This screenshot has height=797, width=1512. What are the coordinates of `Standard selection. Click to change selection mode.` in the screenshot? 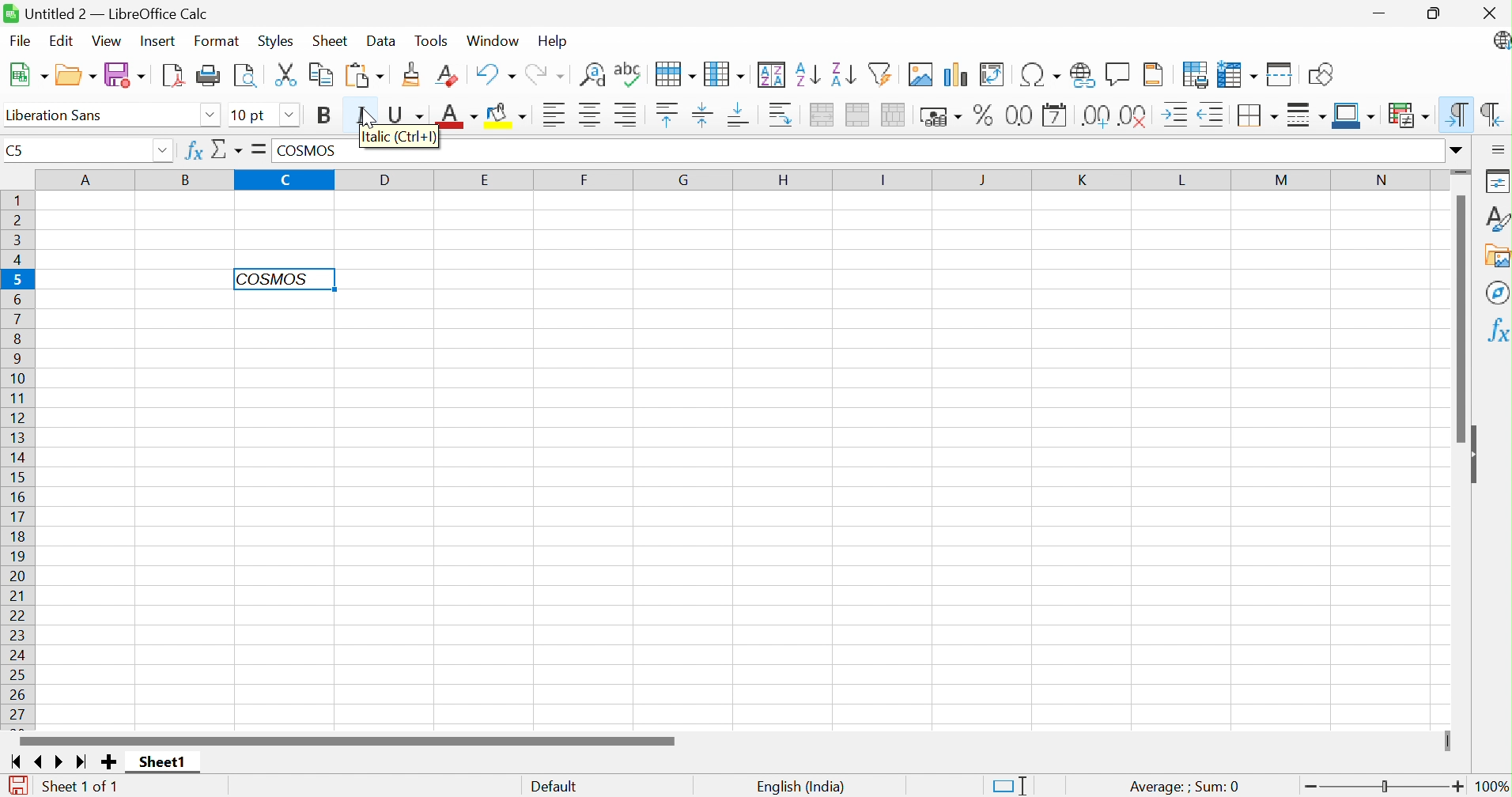 It's located at (1011, 785).